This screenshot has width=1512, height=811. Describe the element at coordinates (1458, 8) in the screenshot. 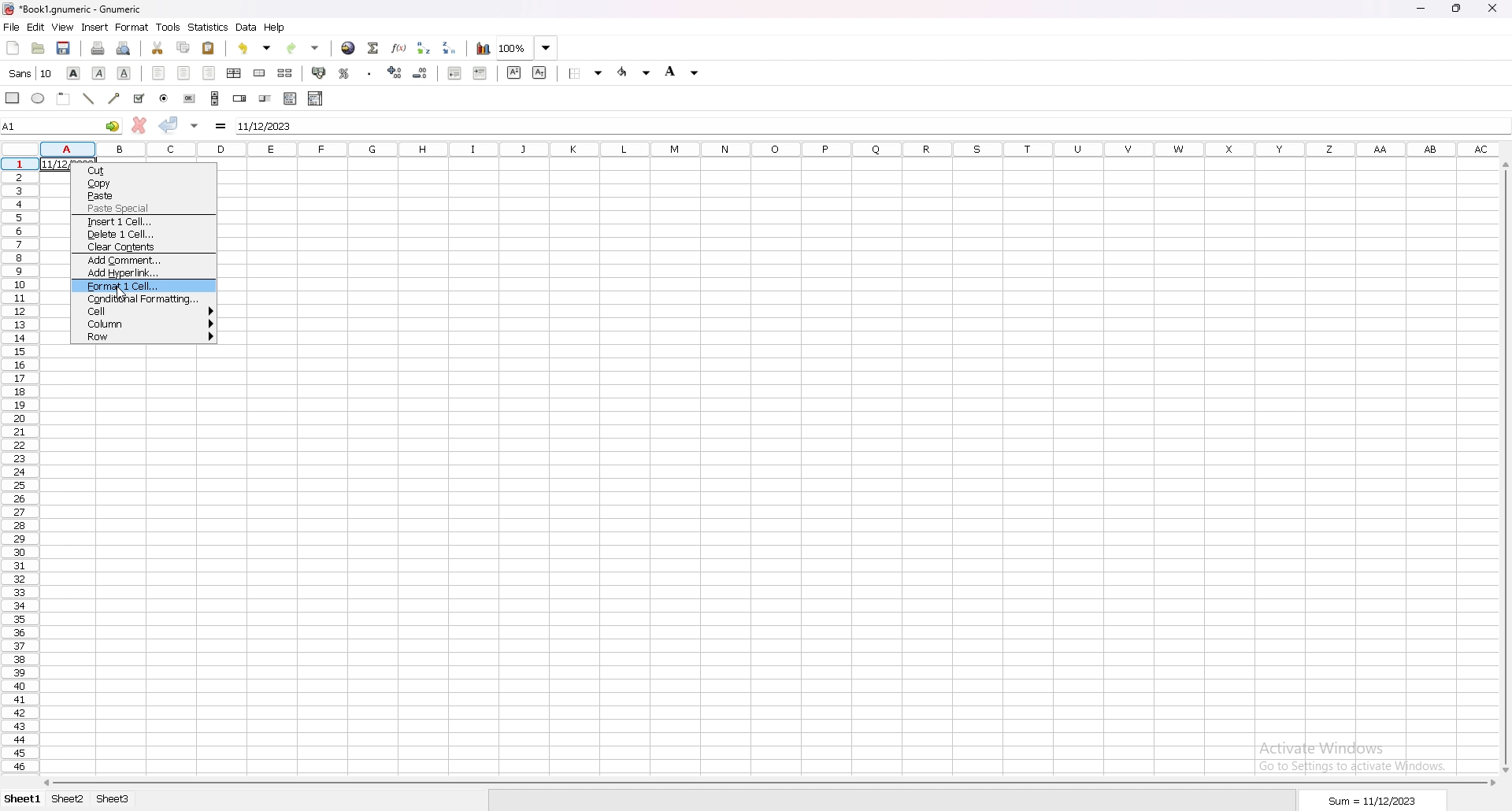

I see `resize` at that location.